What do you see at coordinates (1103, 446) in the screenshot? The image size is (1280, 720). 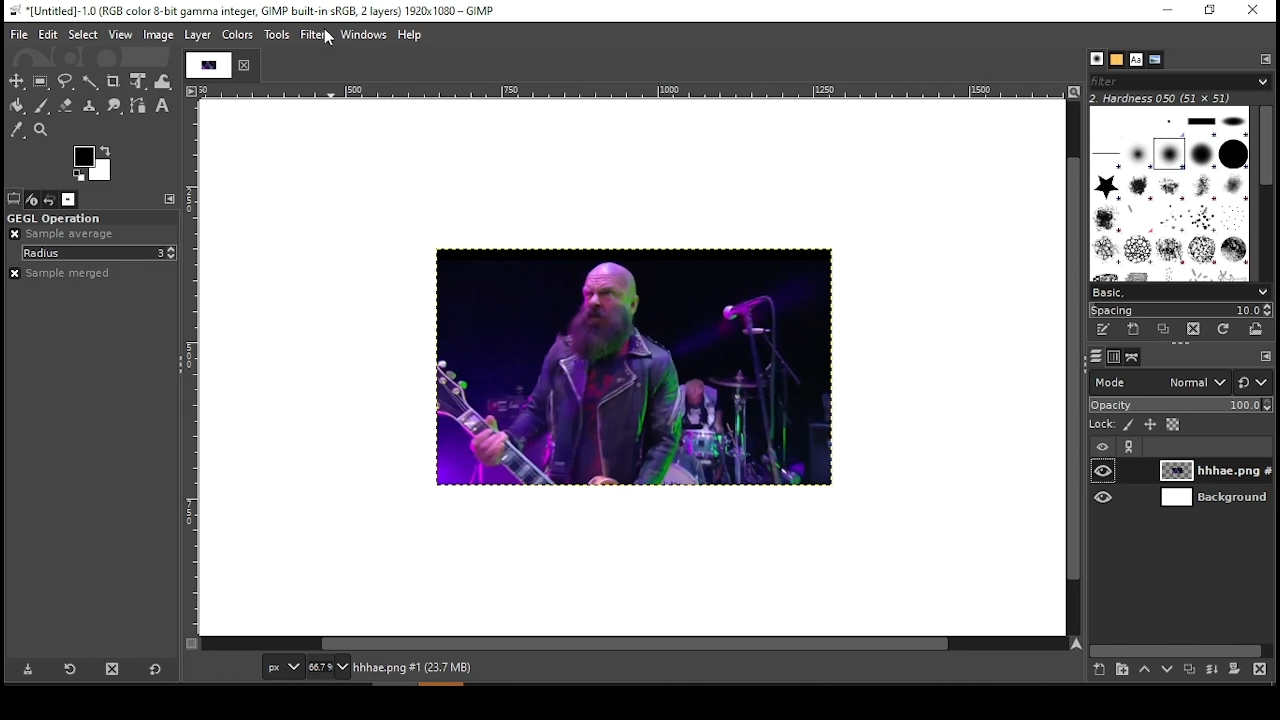 I see `layer visibility` at bounding box center [1103, 446].